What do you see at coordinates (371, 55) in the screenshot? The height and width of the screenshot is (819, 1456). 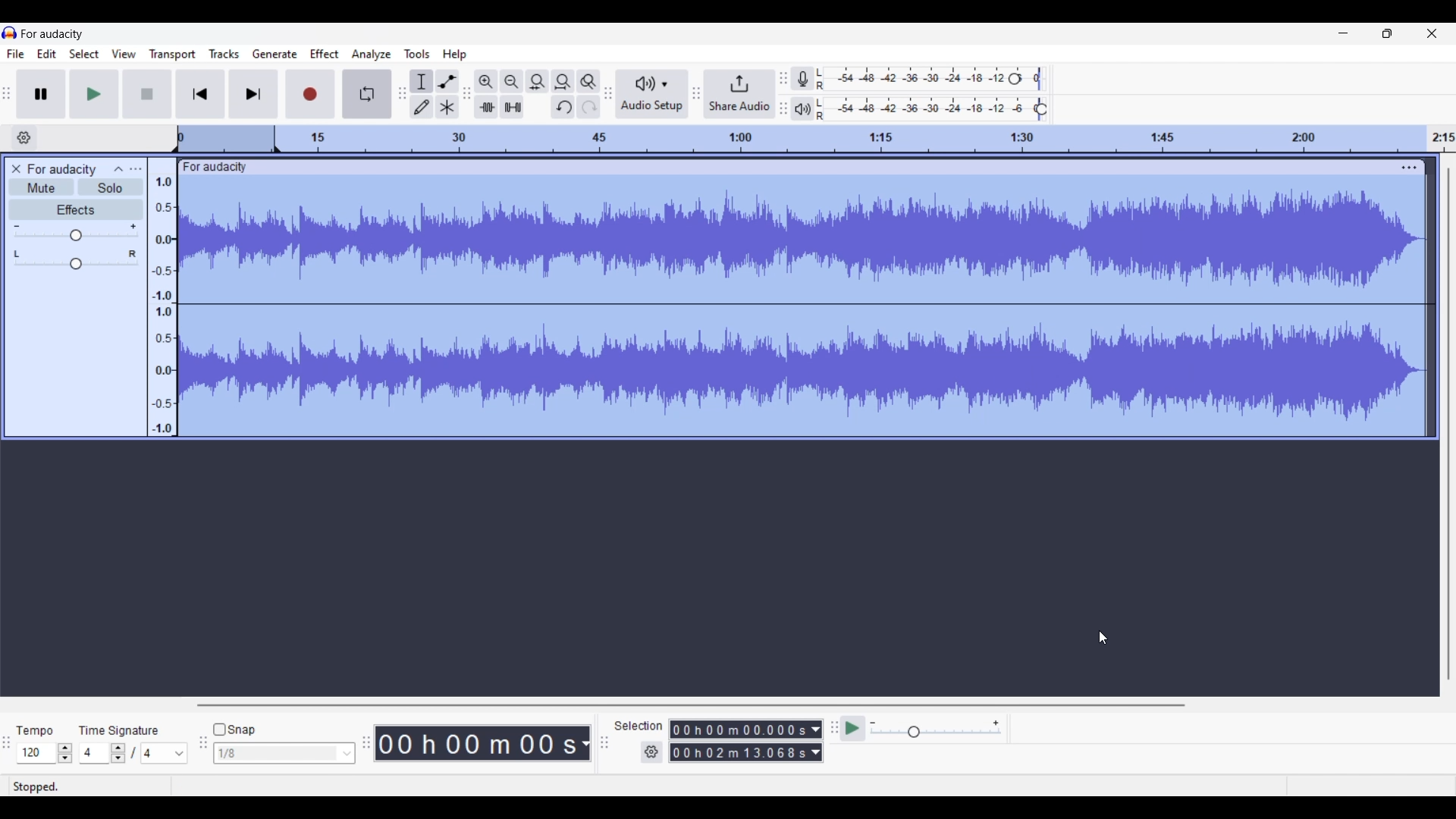 I see `Analyze menu` at bounding box center [371, 55].